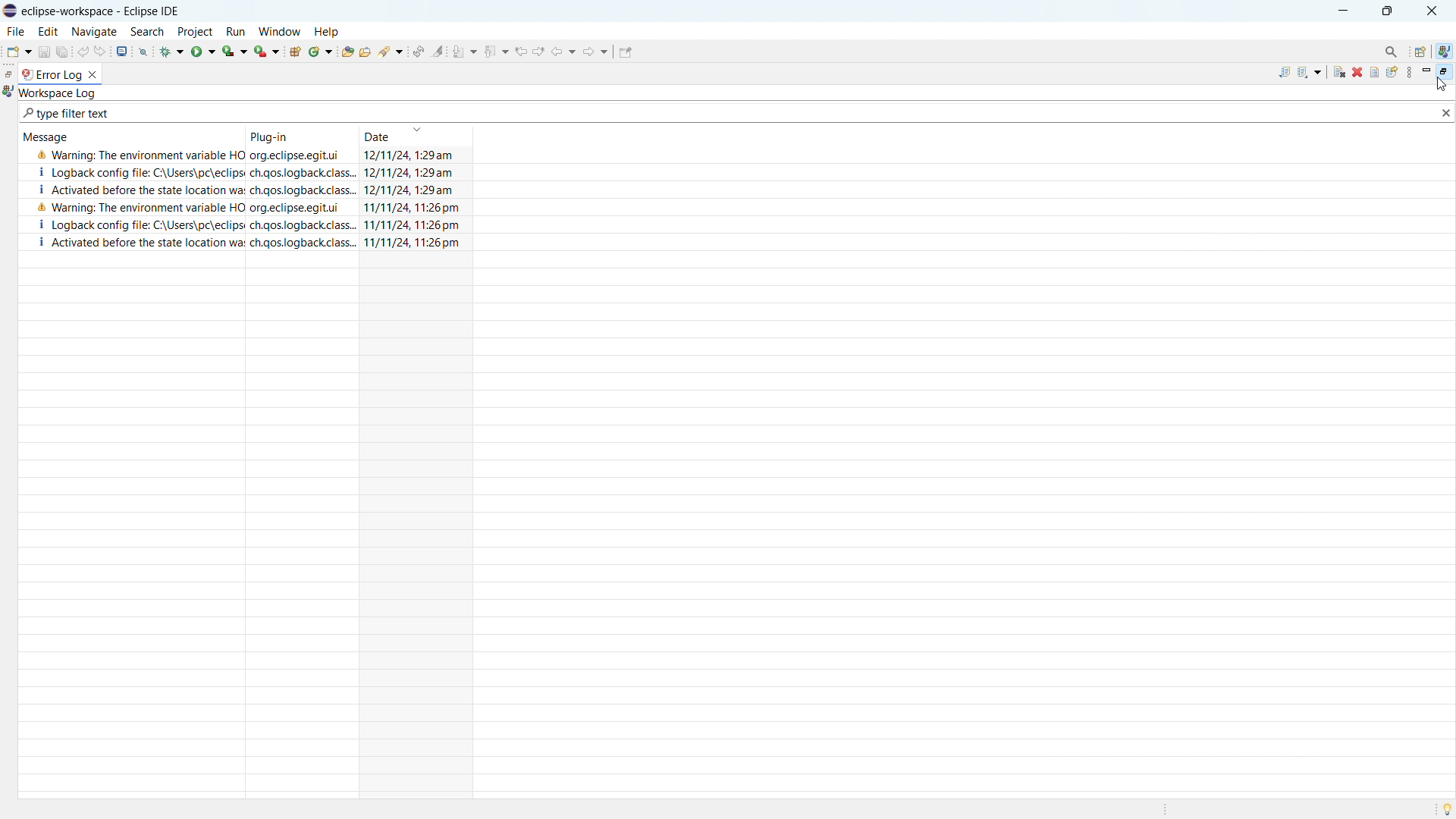 The image size is (1456, 819). What do you see at coordinates (172, 52) in the screenshot?
I see `debug` at bounding box center [172, 52].